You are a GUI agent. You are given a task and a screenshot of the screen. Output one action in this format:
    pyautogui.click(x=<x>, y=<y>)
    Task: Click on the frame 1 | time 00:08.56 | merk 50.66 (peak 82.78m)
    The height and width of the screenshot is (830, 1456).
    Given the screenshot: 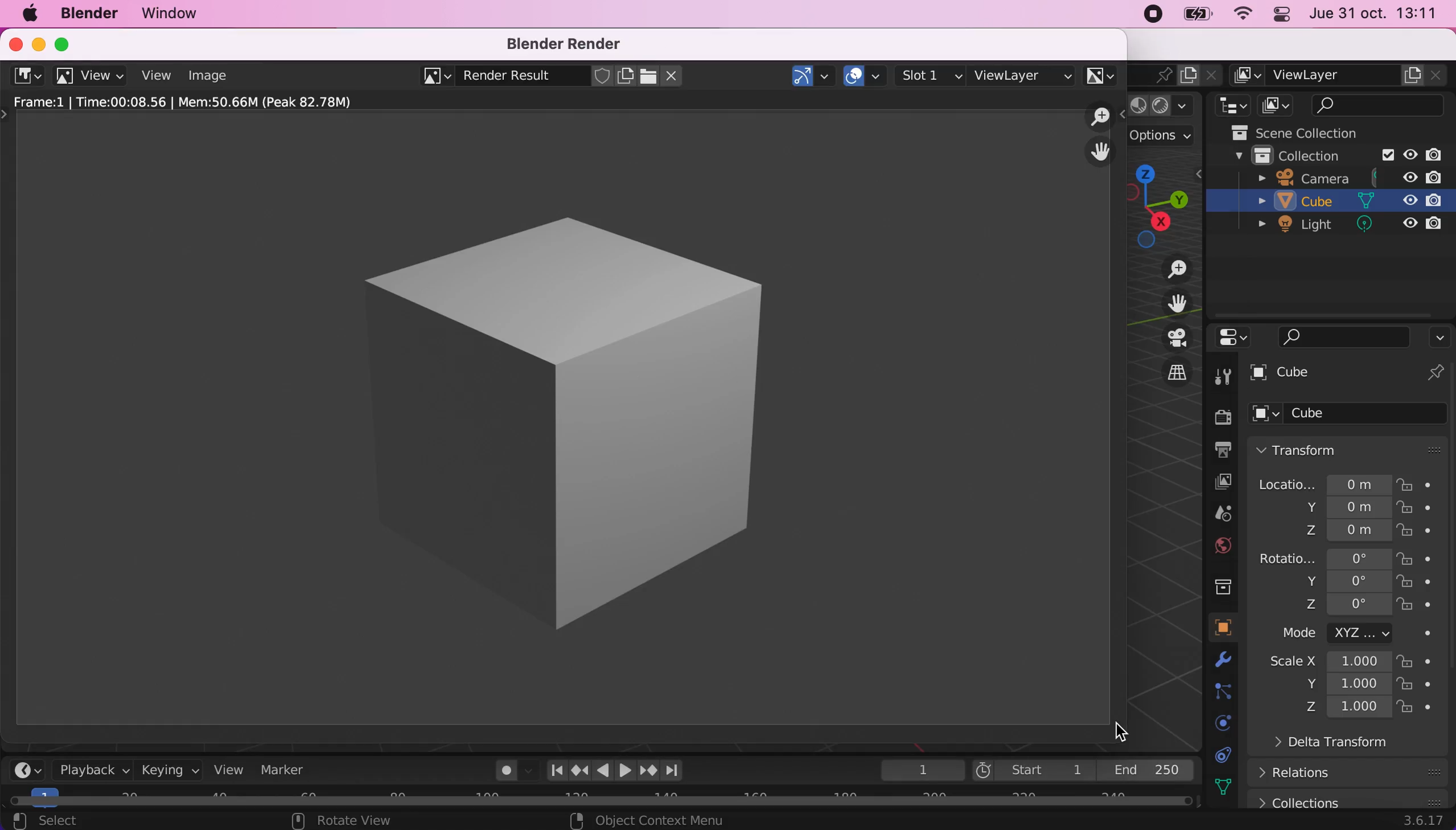 What is the action you would take?
    pyautogui.click(x=195, y=103)
    